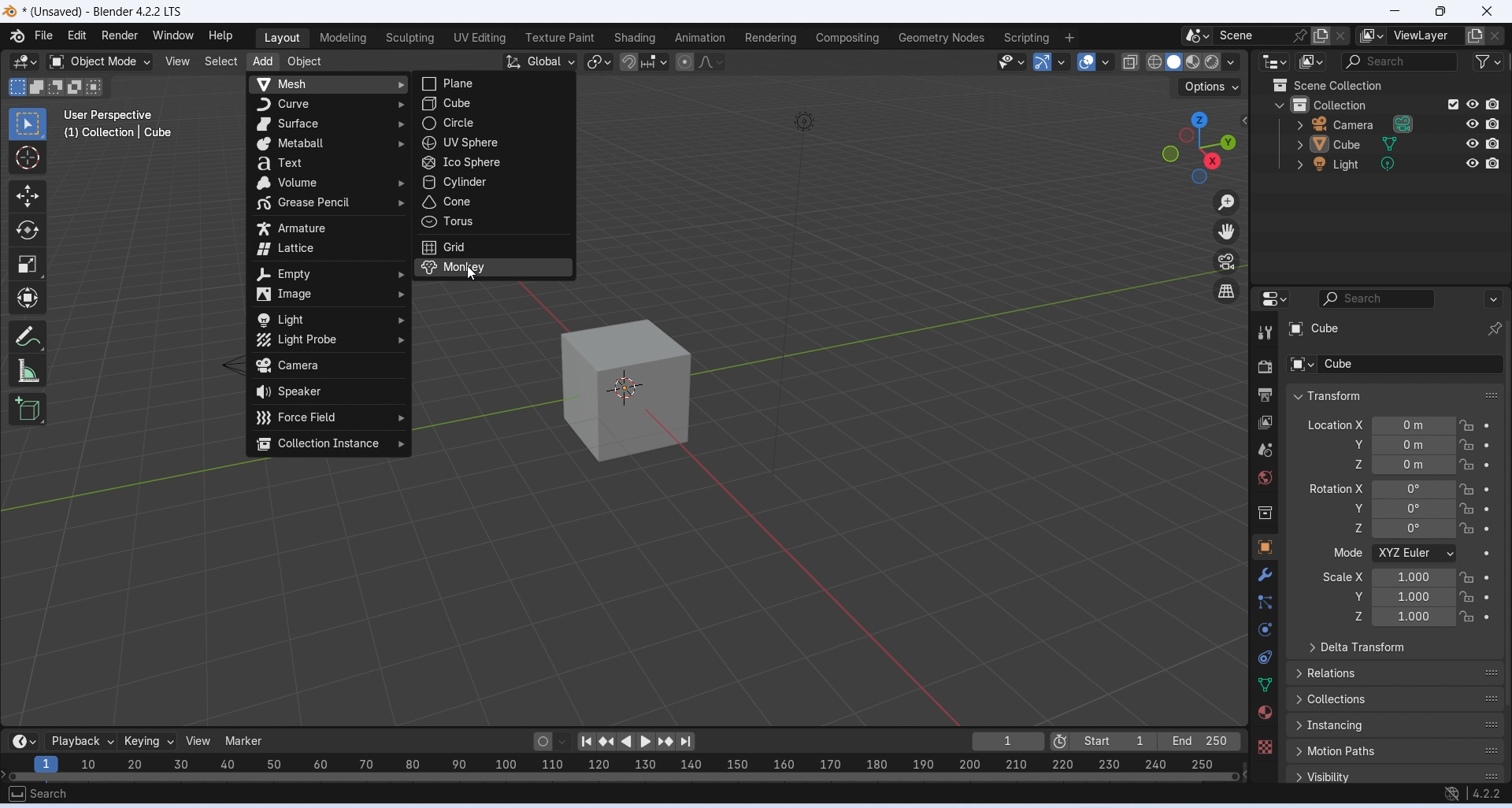 The height and width of the screenshot is (808, 1512). What do you see at coordinates (57, 87) in the screenshot?
I see `Modes` at bounding box center [57, 87].